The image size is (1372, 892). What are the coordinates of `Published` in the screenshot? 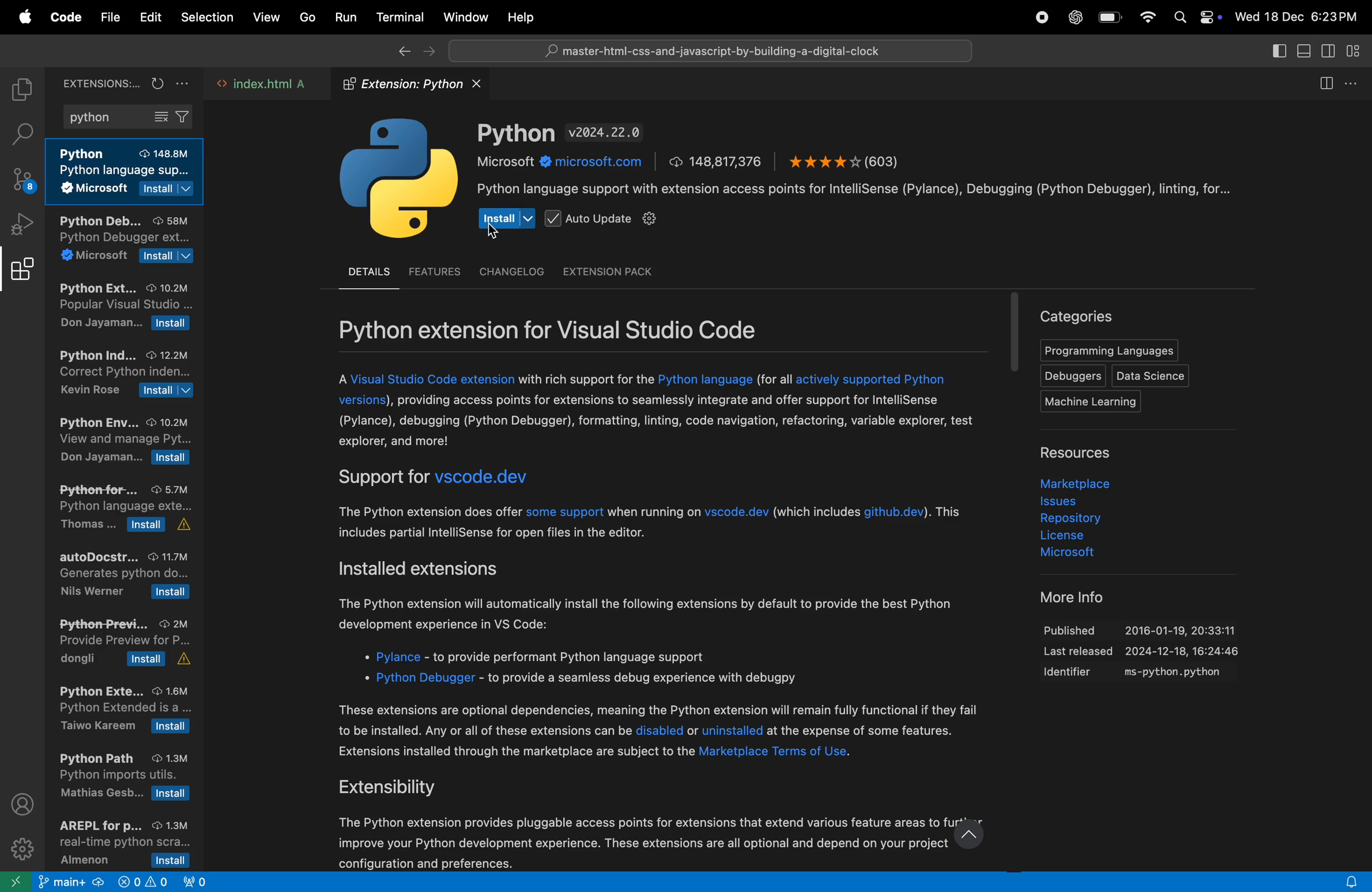 It's located at (1150, 626).